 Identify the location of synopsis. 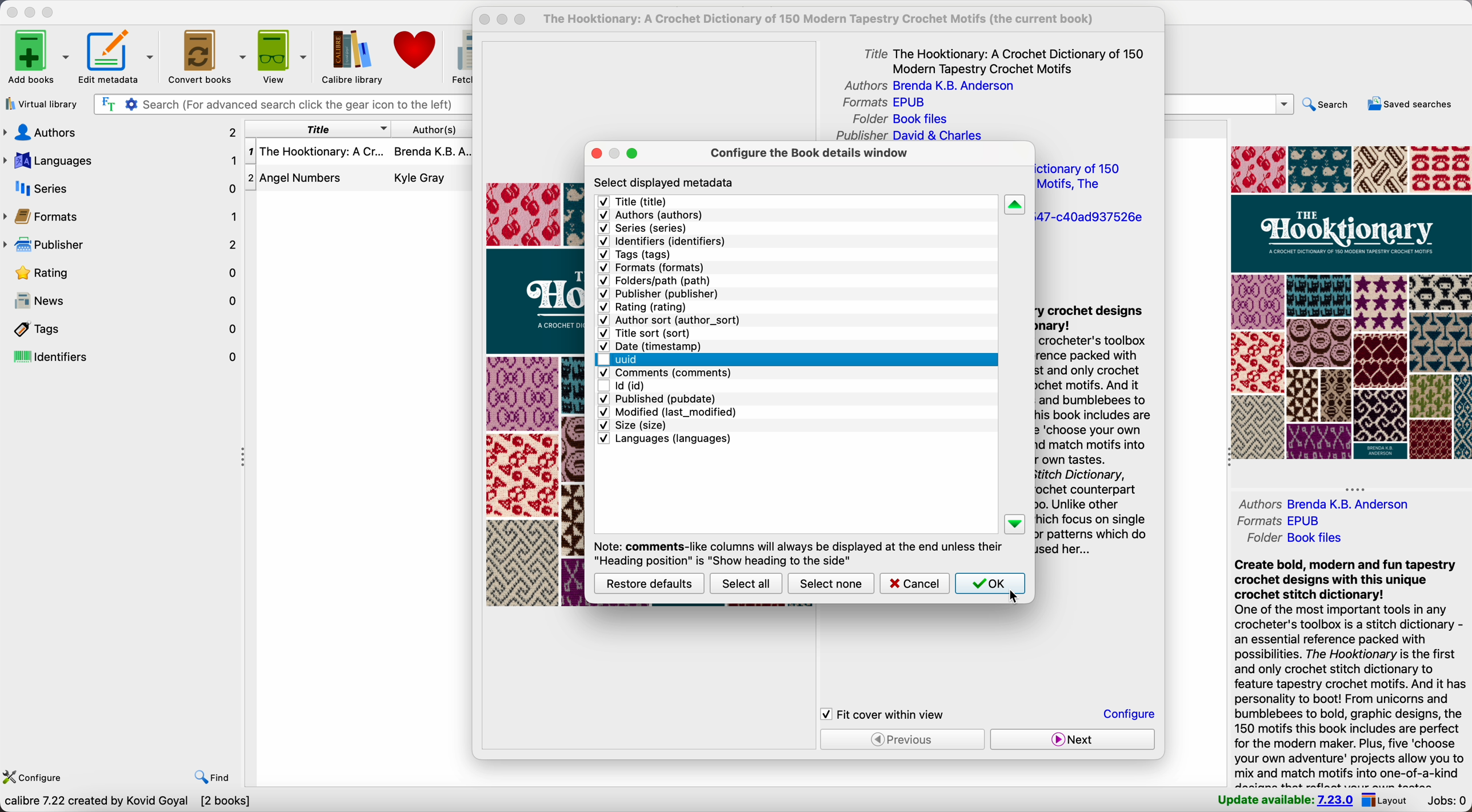
(1350, 671).